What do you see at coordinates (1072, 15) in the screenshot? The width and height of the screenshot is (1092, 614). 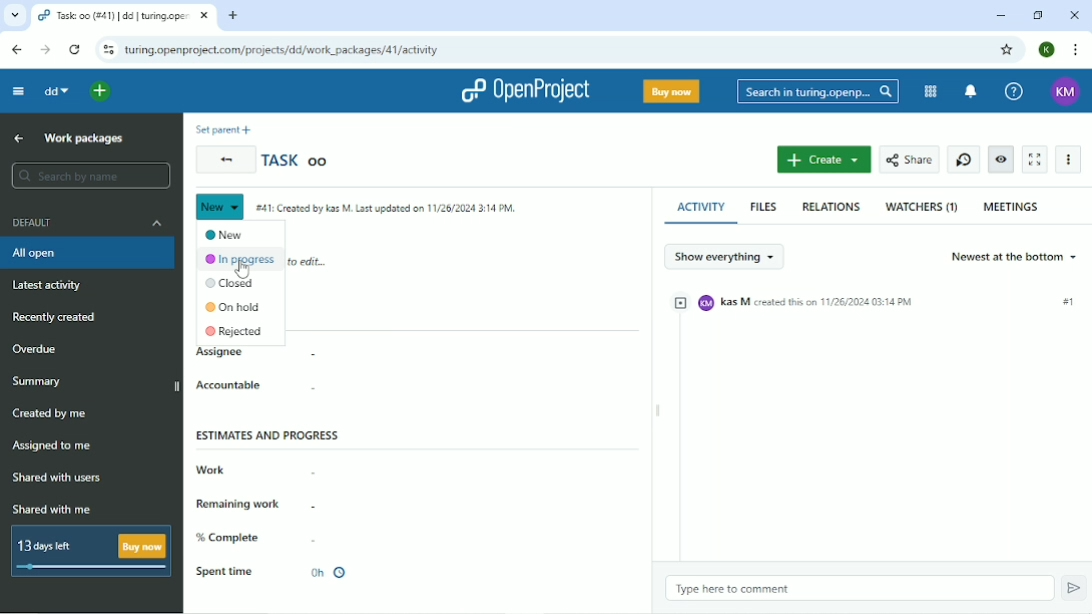 I see `Close` at bounding box center [1072, 15].